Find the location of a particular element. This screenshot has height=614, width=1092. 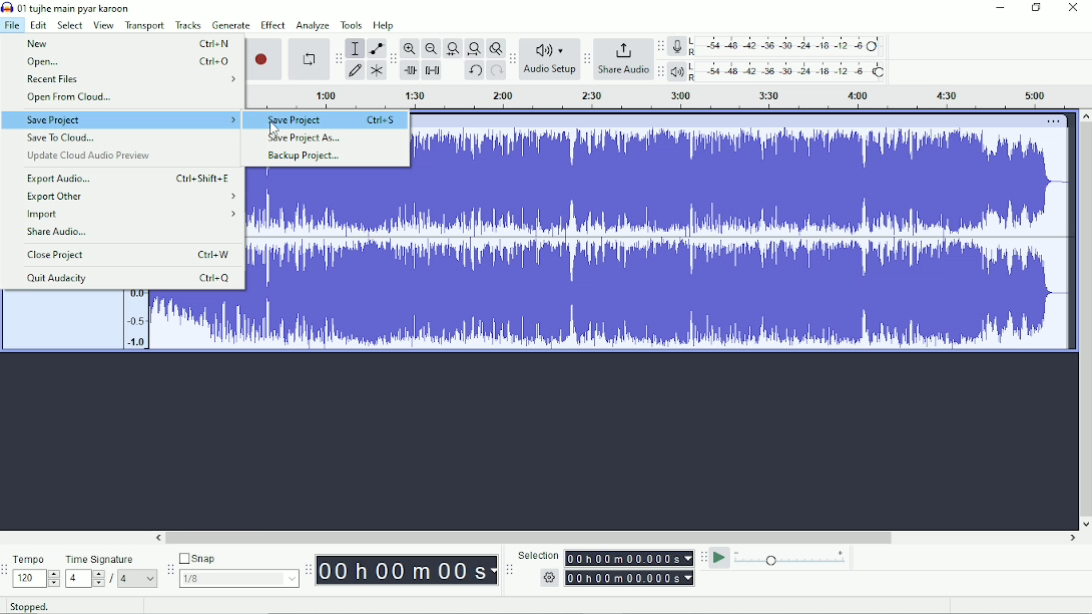

Audacity time toolbar is located at coordinates (308, 569).